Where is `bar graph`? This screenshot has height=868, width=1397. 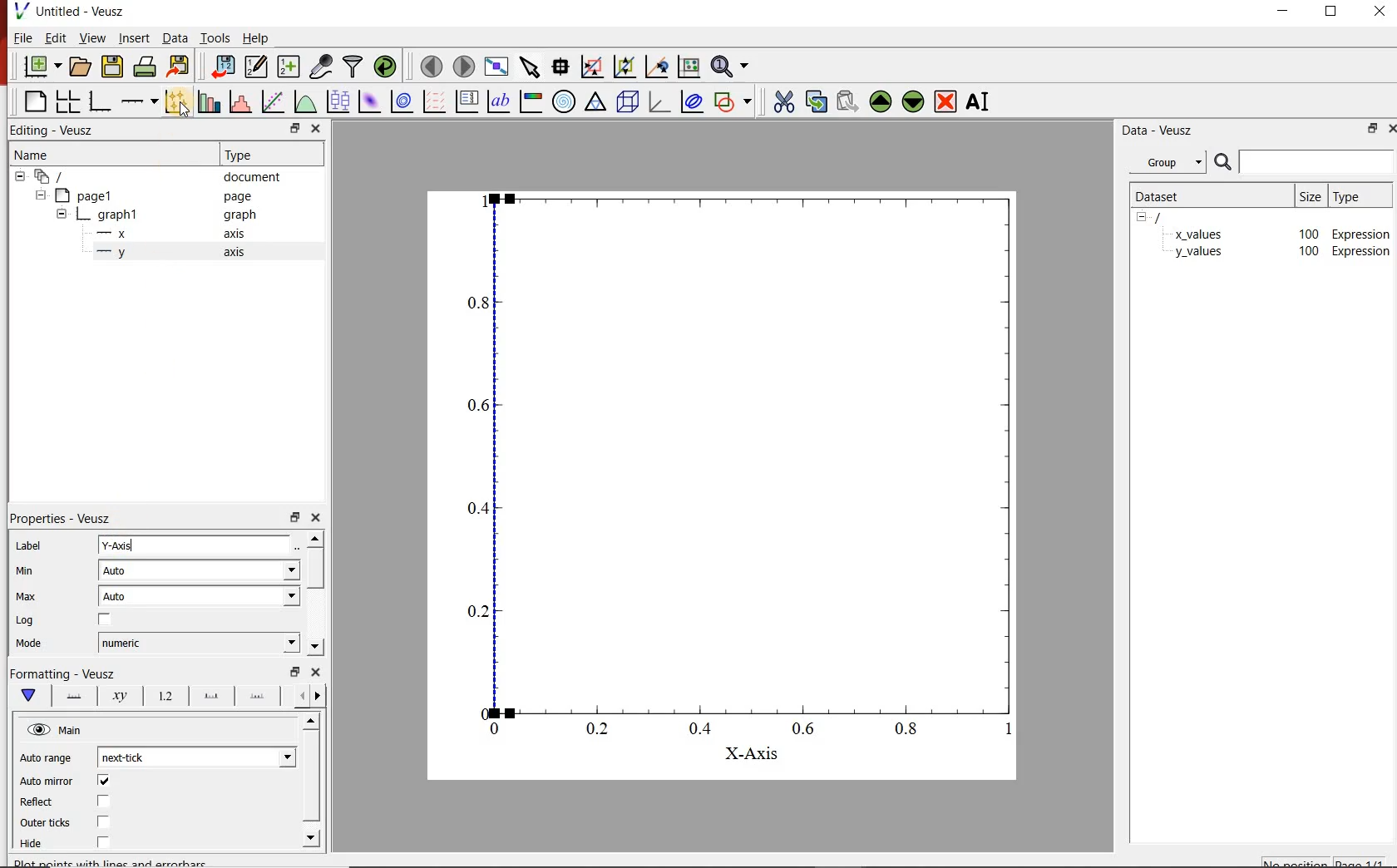 bar graph is located at coordinates (100, 103).